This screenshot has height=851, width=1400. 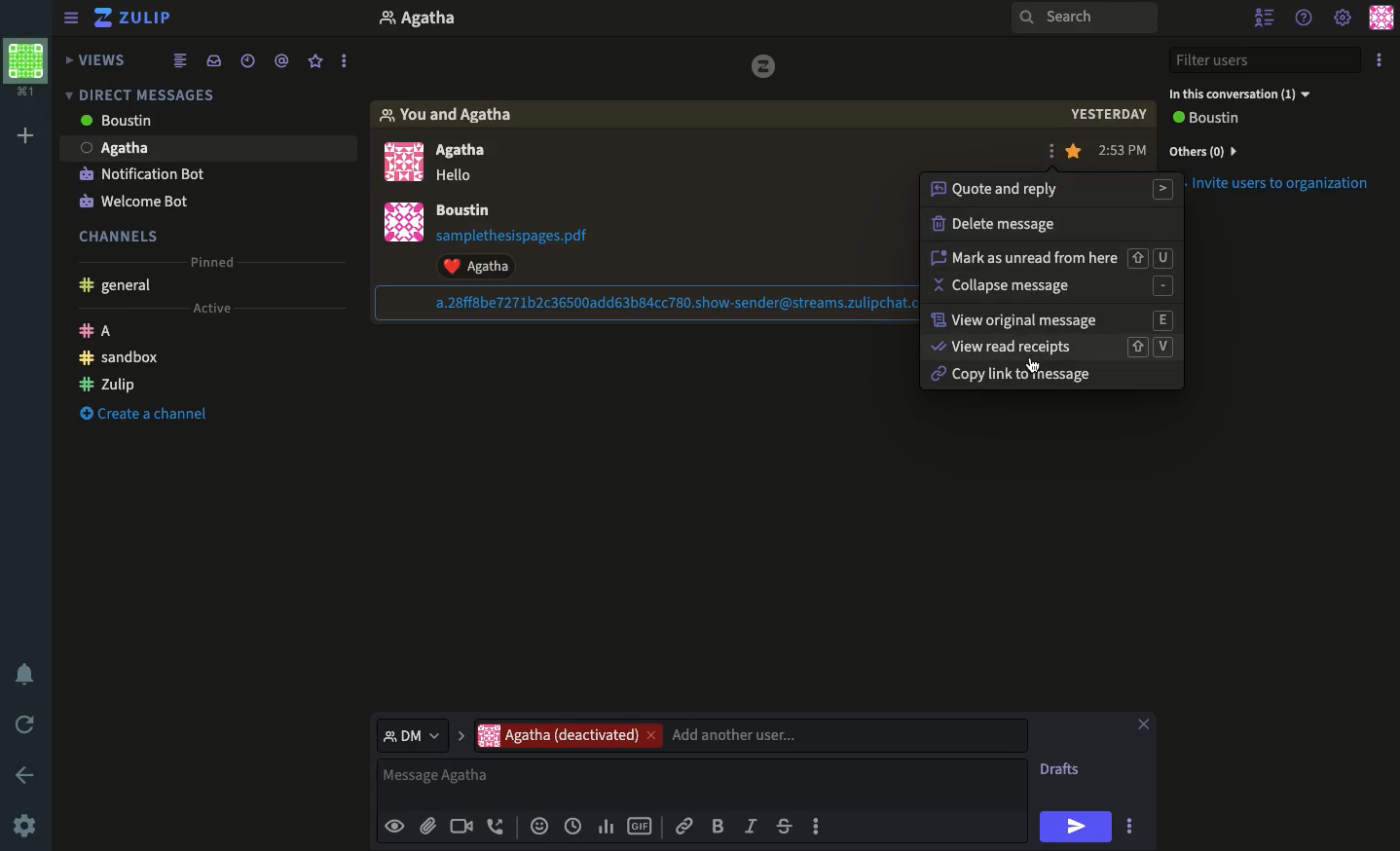 What do you see at coordinates (203, 91) in the screenshot?
I see `Inbox` at bounding box center [203, 91].